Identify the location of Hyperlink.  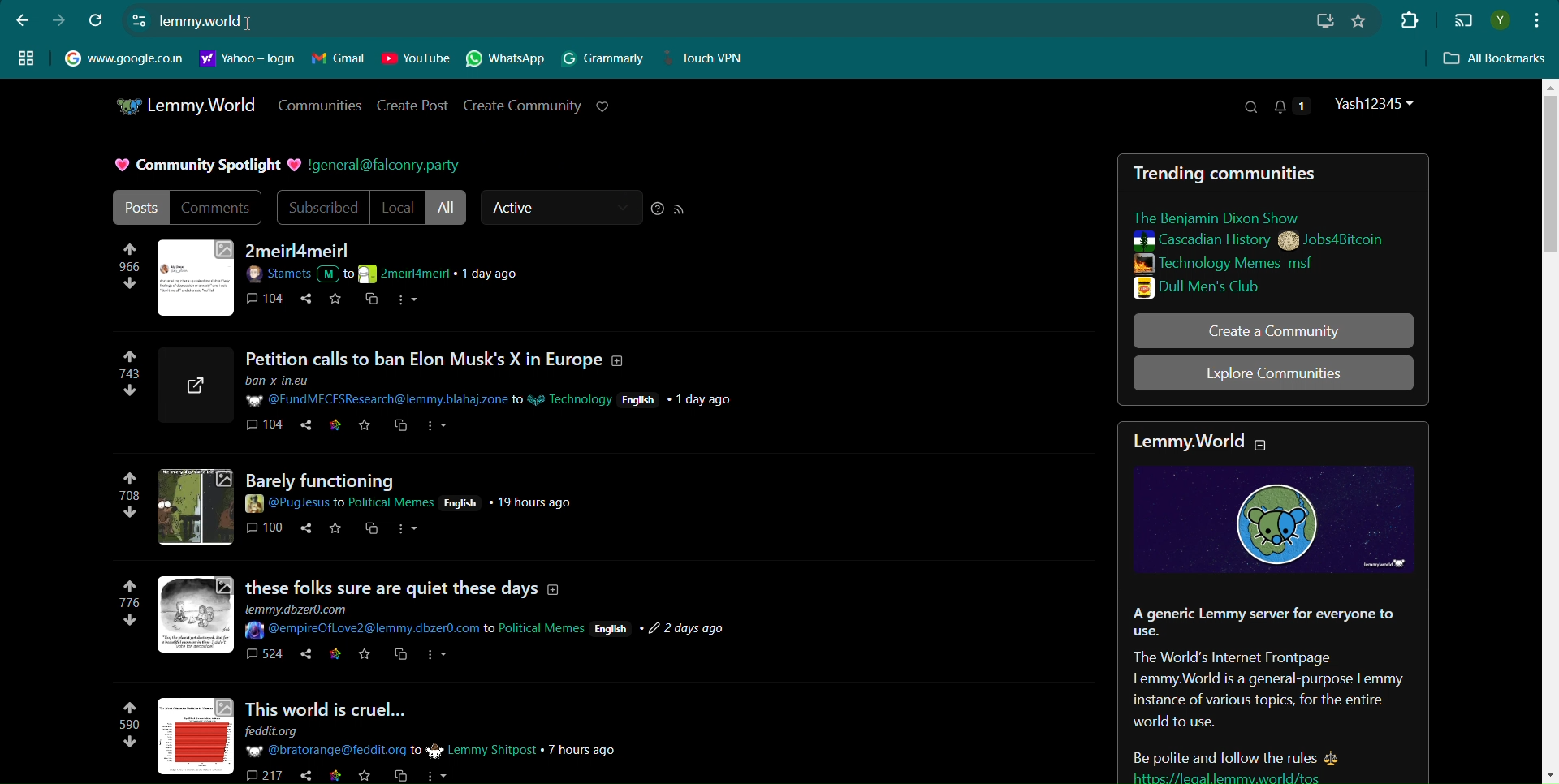
(201, 22).